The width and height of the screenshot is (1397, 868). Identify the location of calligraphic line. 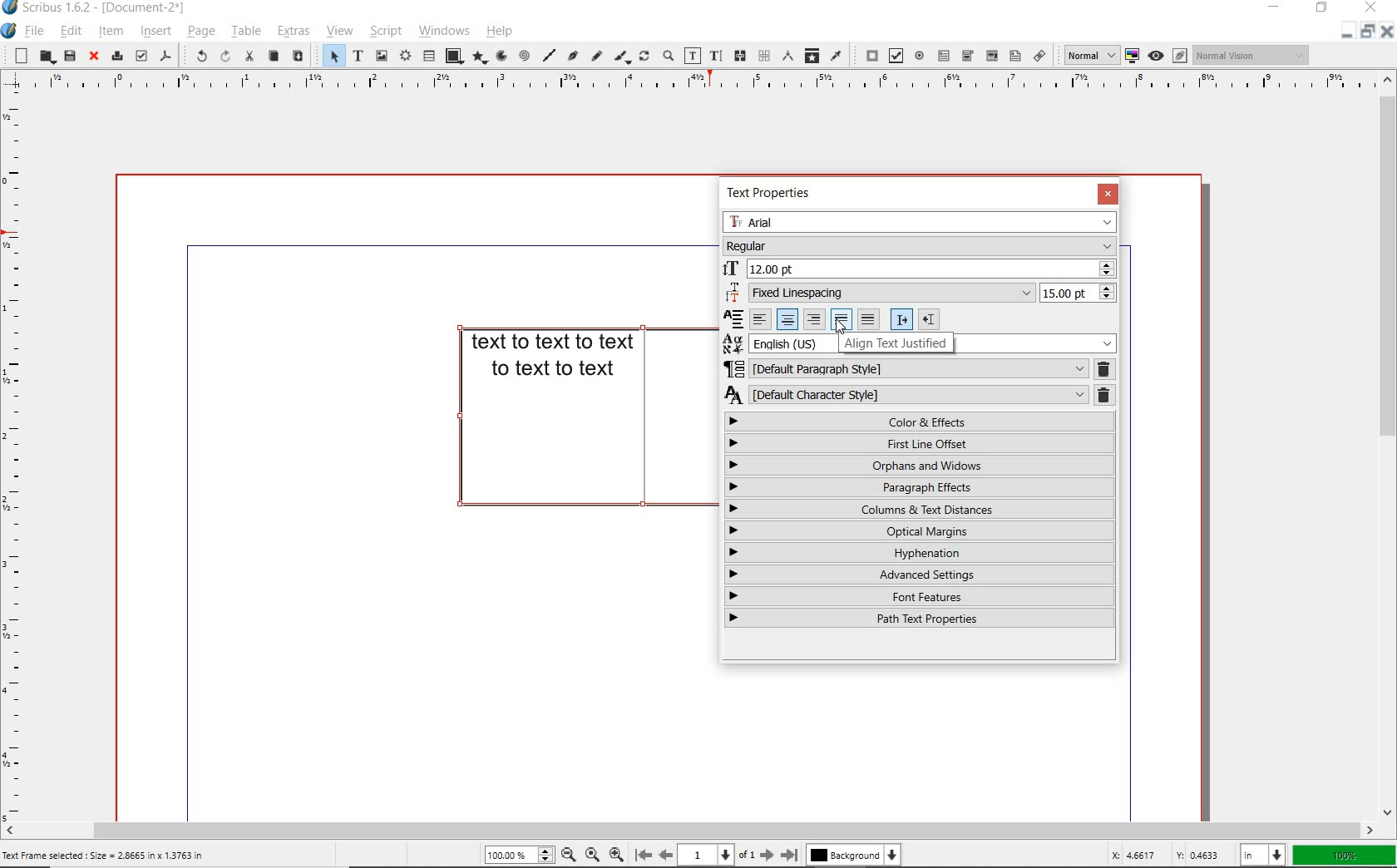
(620, 56).